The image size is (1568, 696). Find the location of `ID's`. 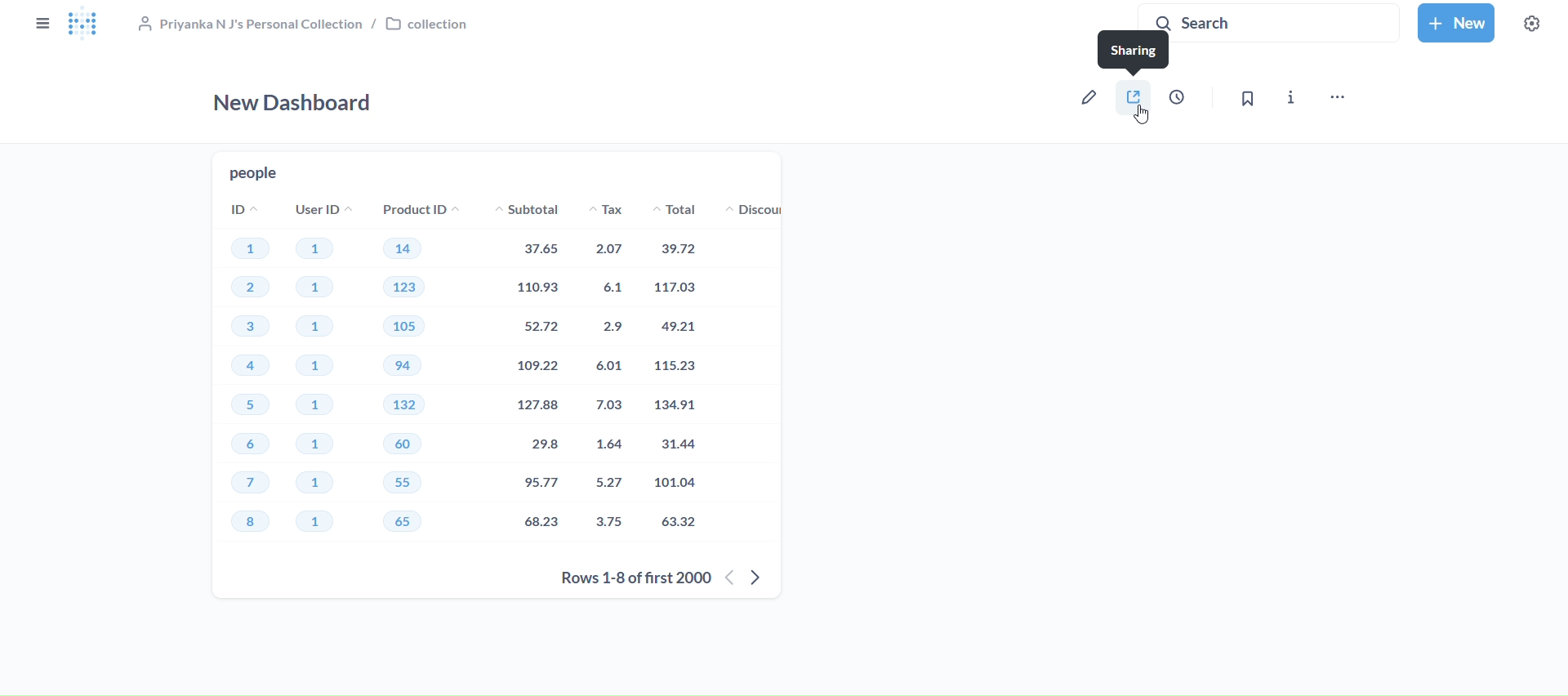

ID's is located at coordinates (246, 373).